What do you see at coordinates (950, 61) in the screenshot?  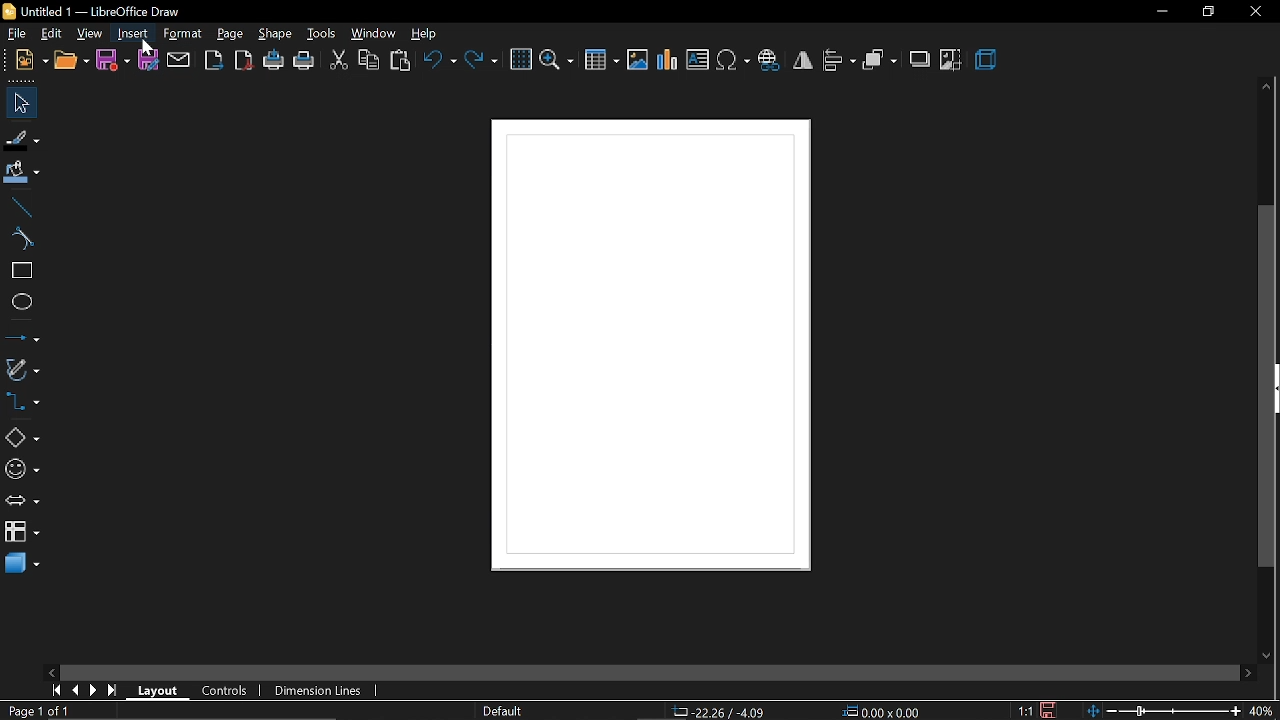 I see `crop` at bounding box center [950, 61].